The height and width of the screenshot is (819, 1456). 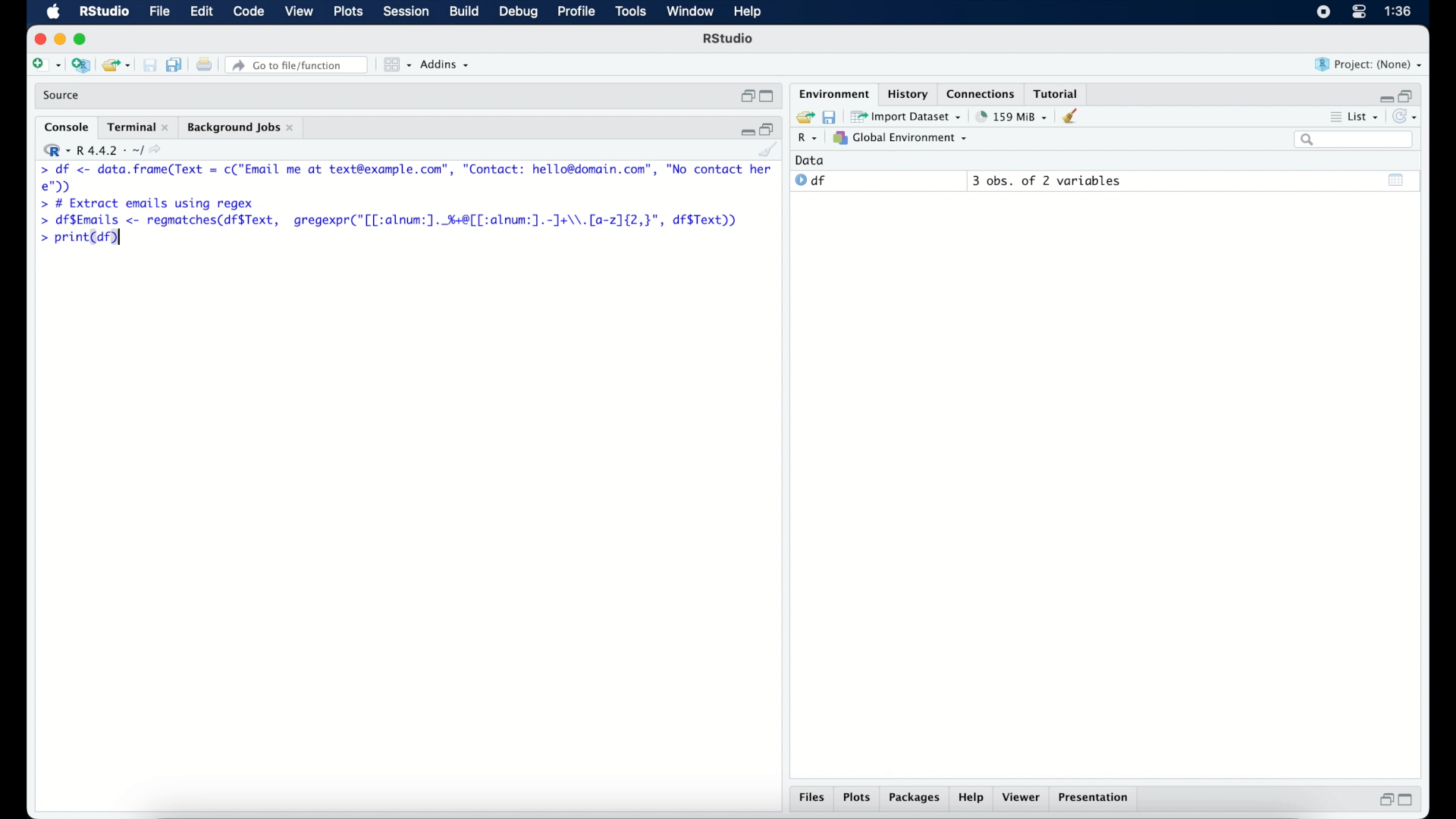 What do you see at coordinates (1386, 96) in the screenshot?
I see `minimize` at bounding box center [1386, 96].